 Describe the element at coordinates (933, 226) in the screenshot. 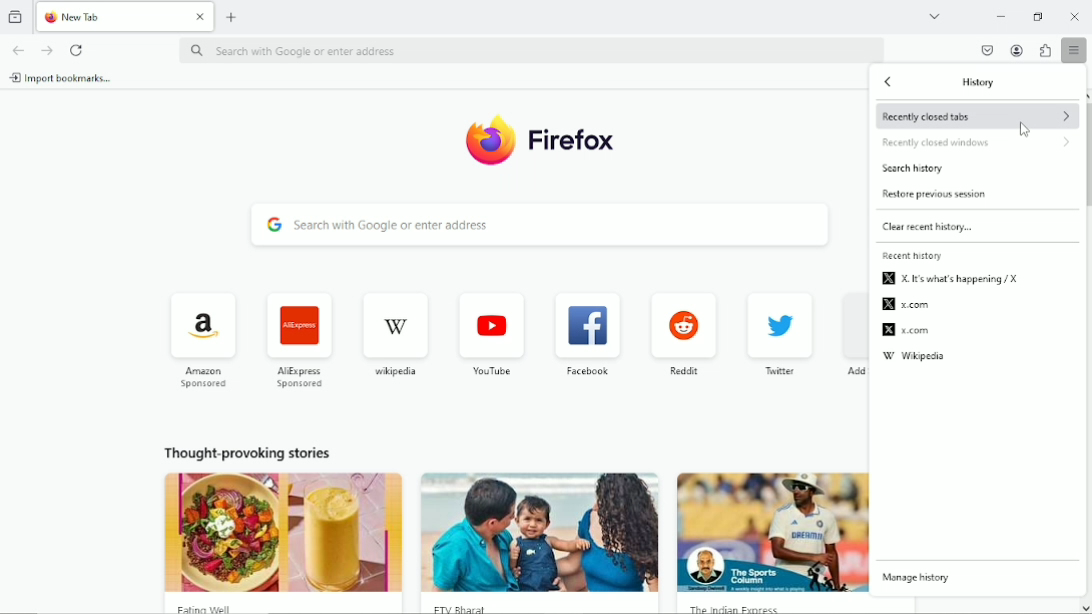

I see `clear recent history` at that location.